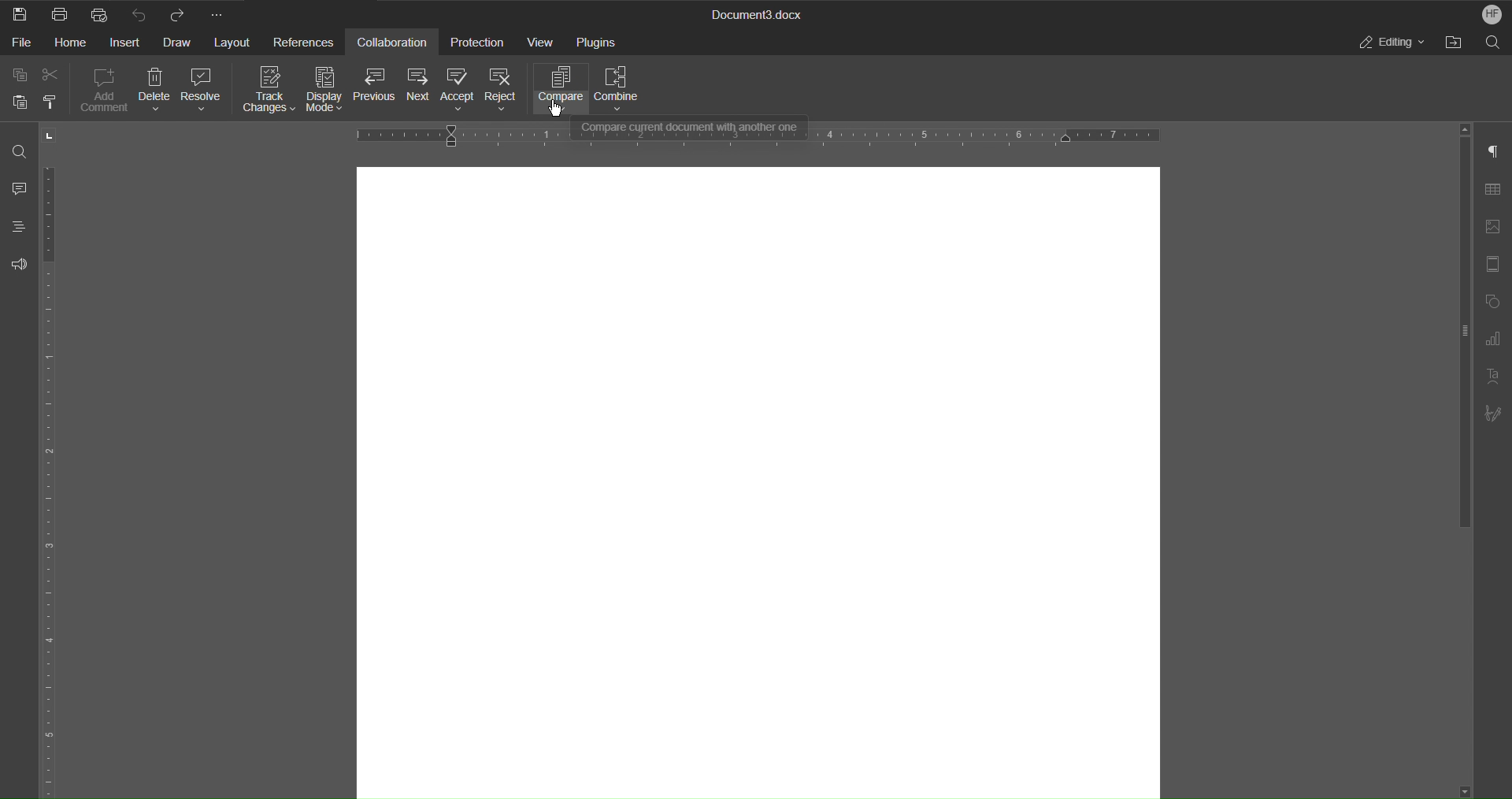  I want to click on Signature, so click(1495, 414).